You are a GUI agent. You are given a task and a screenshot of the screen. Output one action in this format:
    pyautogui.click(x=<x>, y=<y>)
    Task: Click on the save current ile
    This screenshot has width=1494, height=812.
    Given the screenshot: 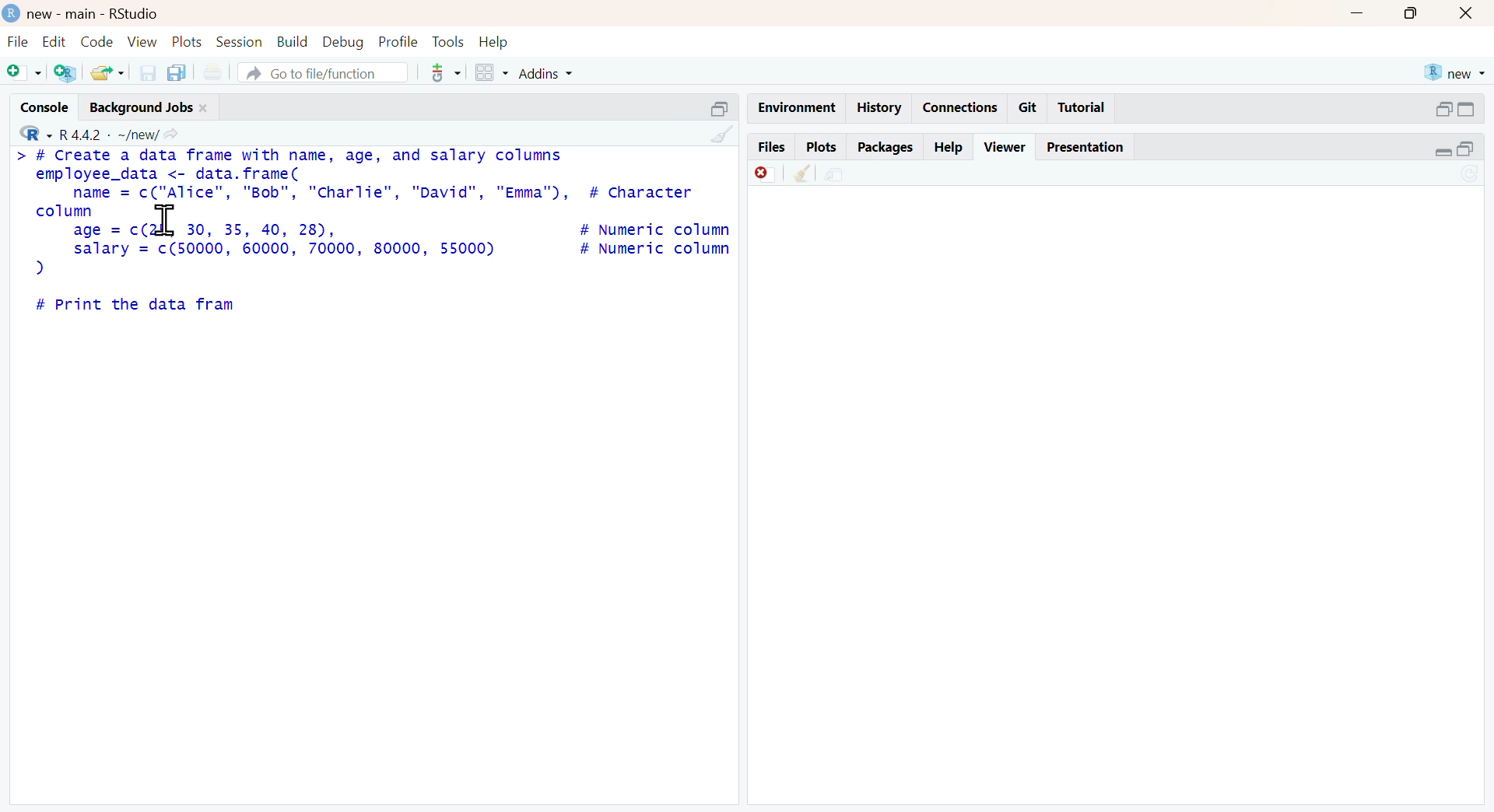 What is the action you would take?
    pyautogui.click(x=142, y=72)
    